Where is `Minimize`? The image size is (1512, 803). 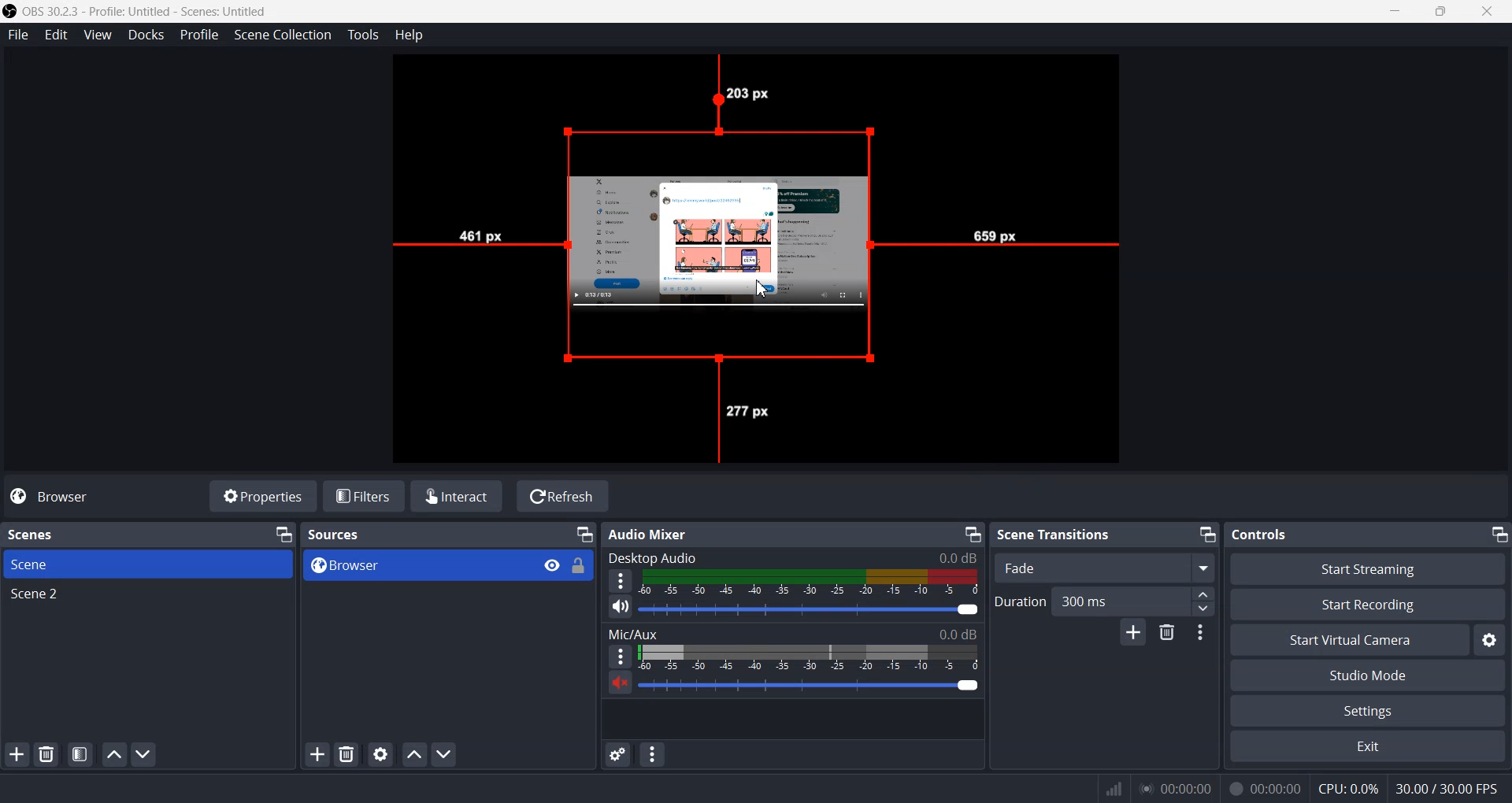 Minimize is located at coordinates (1498, 534).